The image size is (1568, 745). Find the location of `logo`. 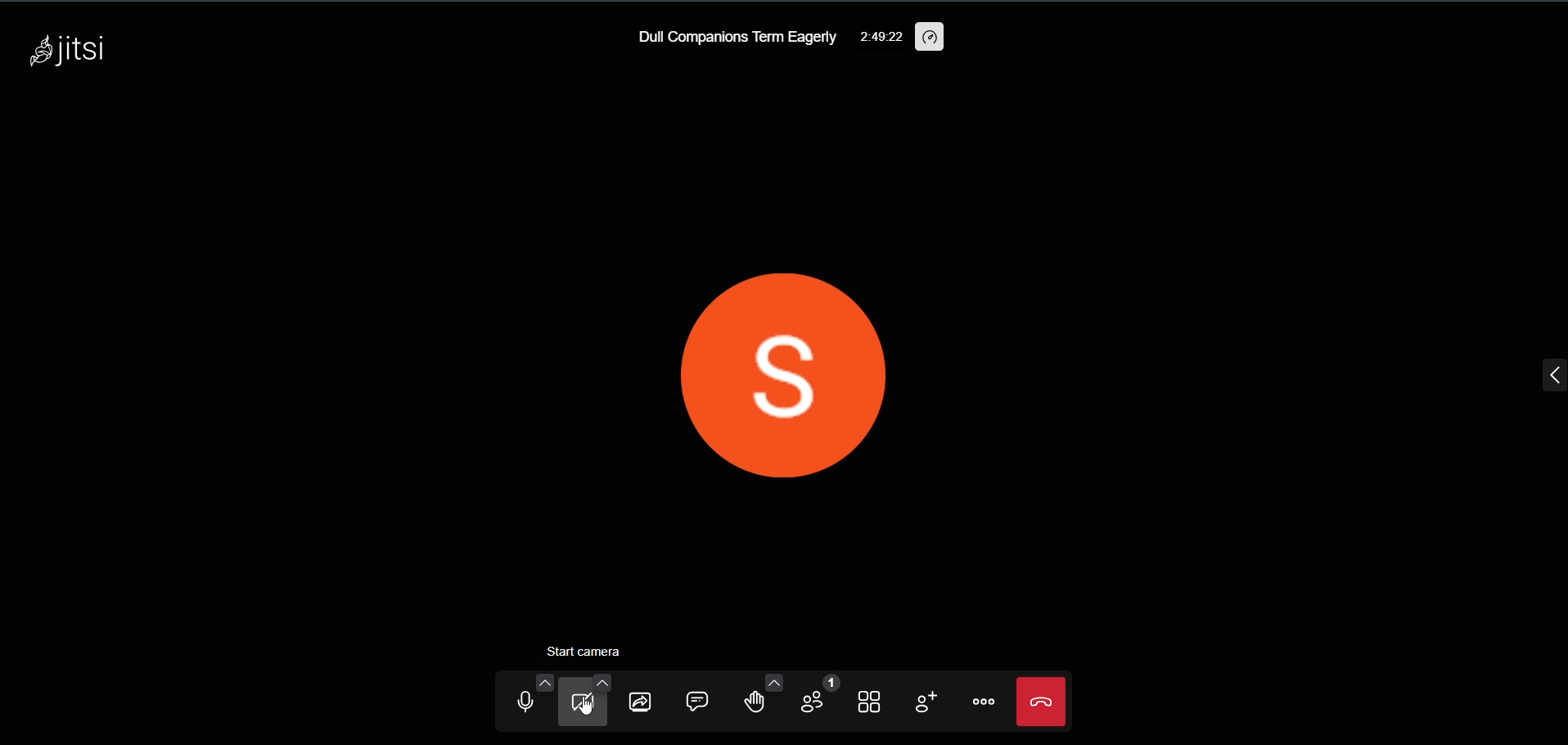

logo is located at coordinates (68, 54).